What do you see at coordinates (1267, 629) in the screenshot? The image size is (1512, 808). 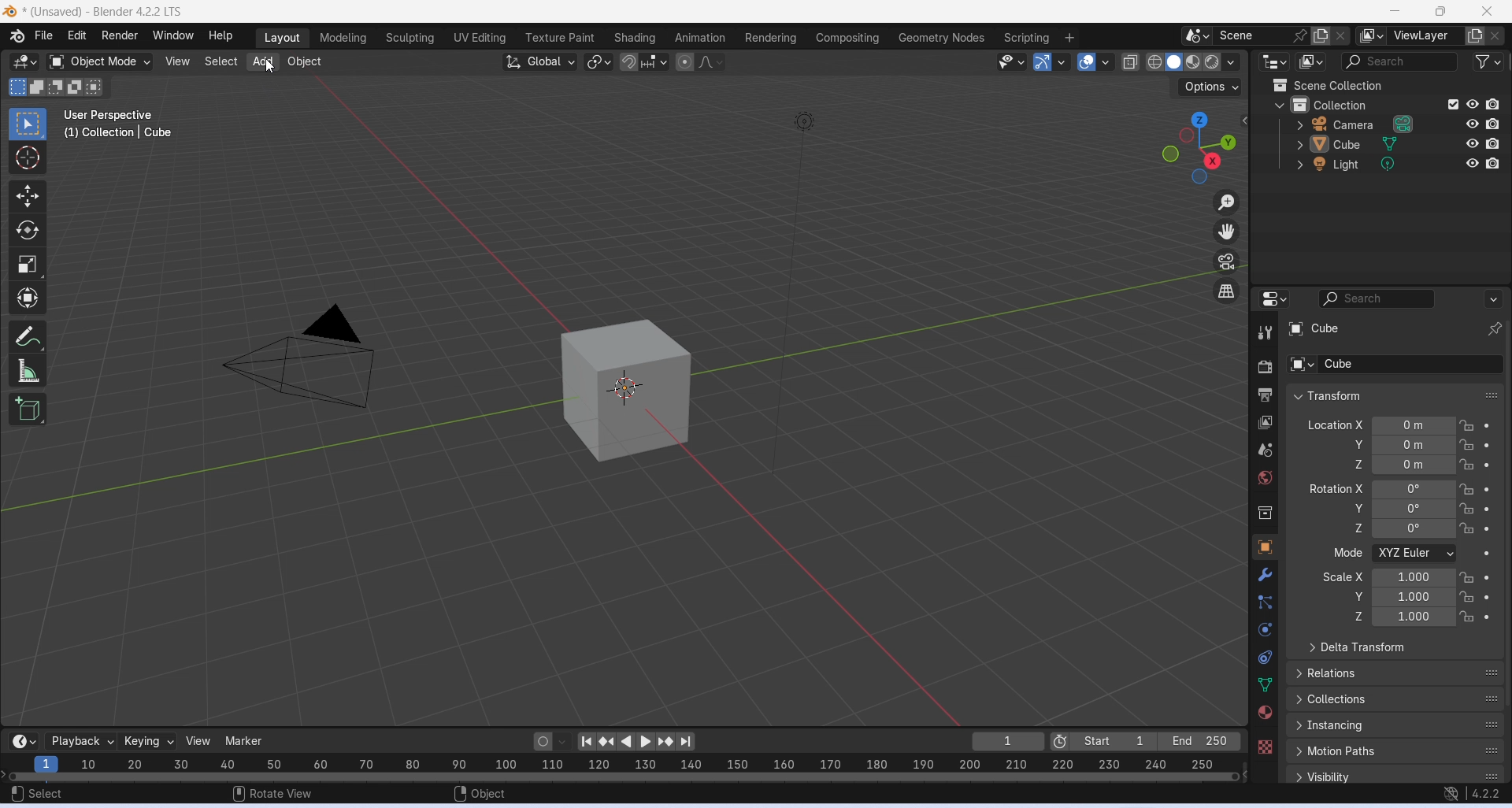 I see `physics` at bounding box center [1267, 629].